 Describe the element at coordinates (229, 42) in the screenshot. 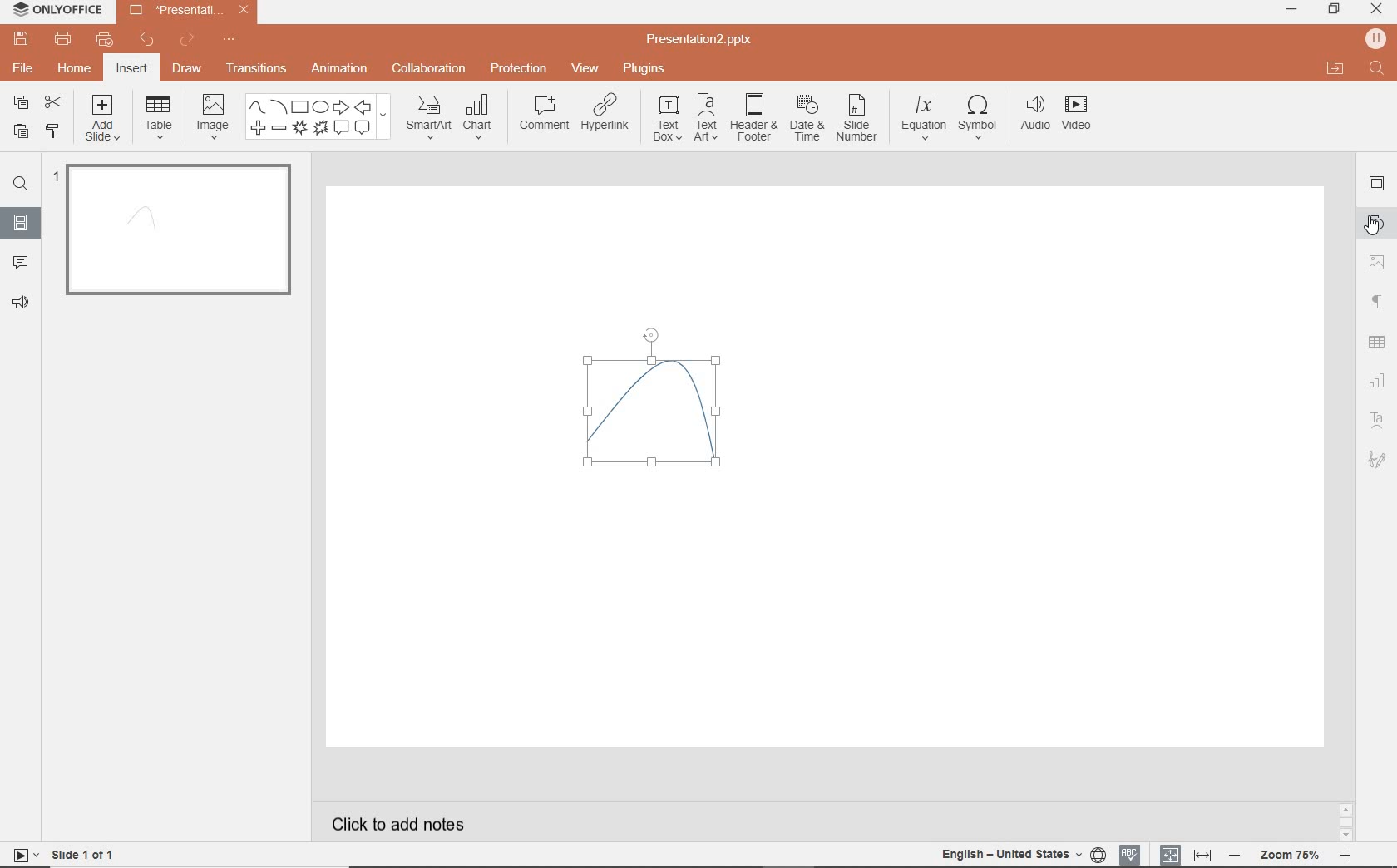

I see `CUSTOMIZE QUICK ACCESS TOOLBAR` at that location.